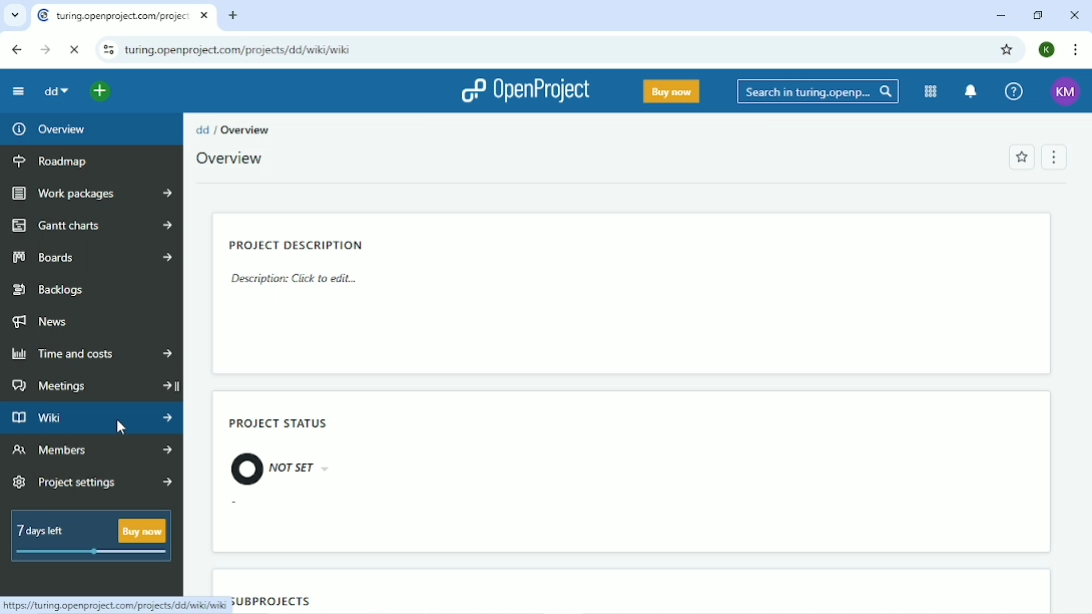 Image resolution: width=1092 pixels, height=614 pixels. I want to click on Account, so click(1065, 91).